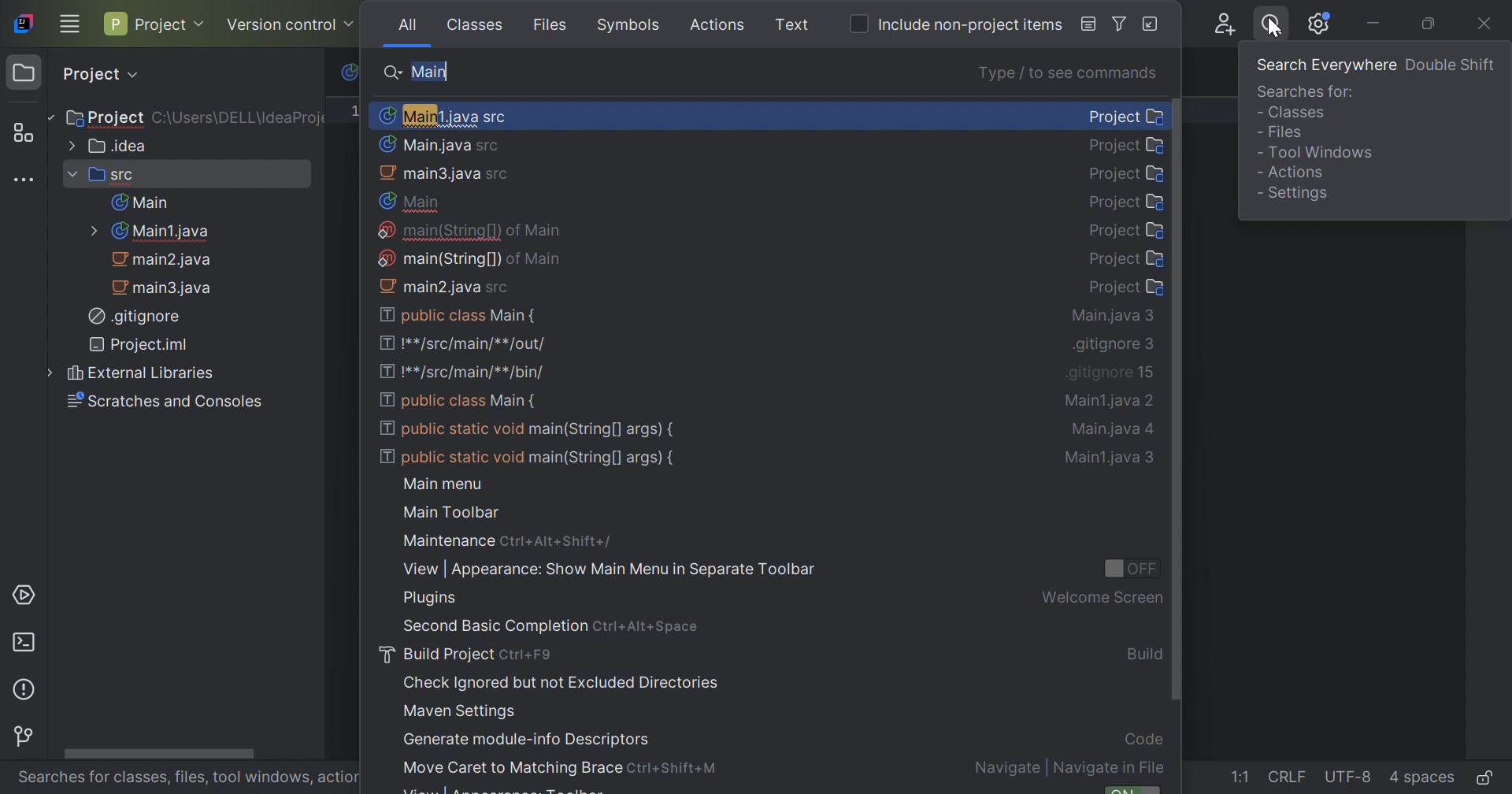 Image resolution: width=1512 pixels, height=794 pixels. What do you see at coordinates (1072, 74) in the screenshot?
I see `Type / to see commands` at bounding box center [1072, 74].